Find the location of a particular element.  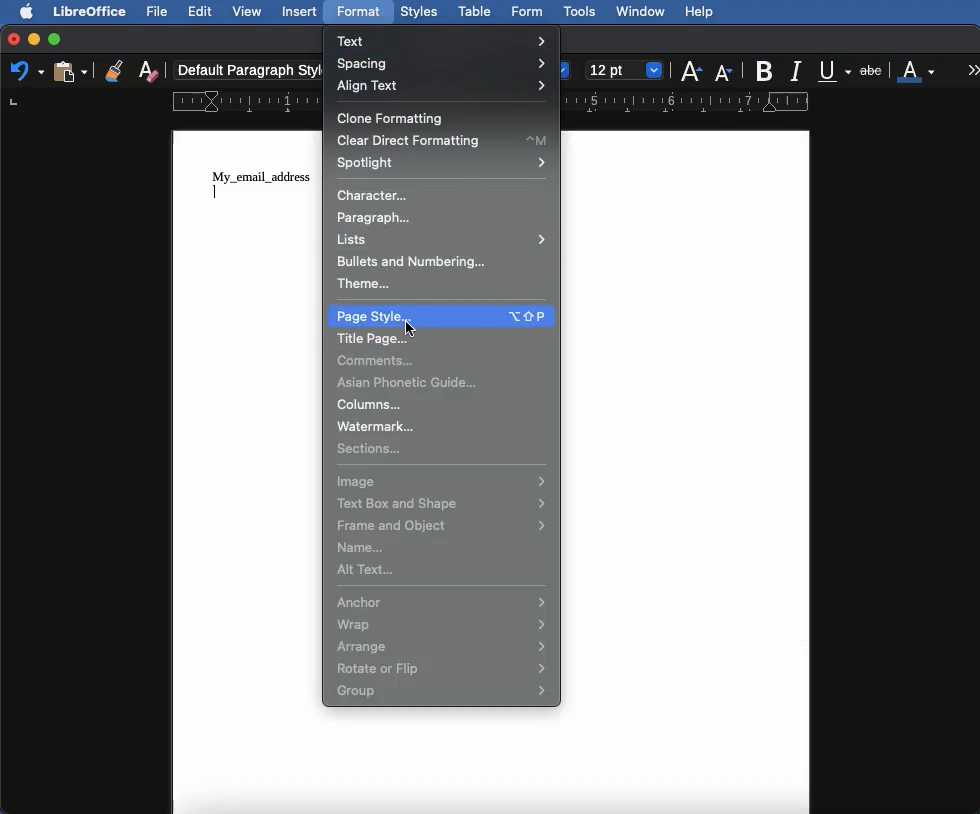

Clear direct formatting is located at coordinates (450, 141).